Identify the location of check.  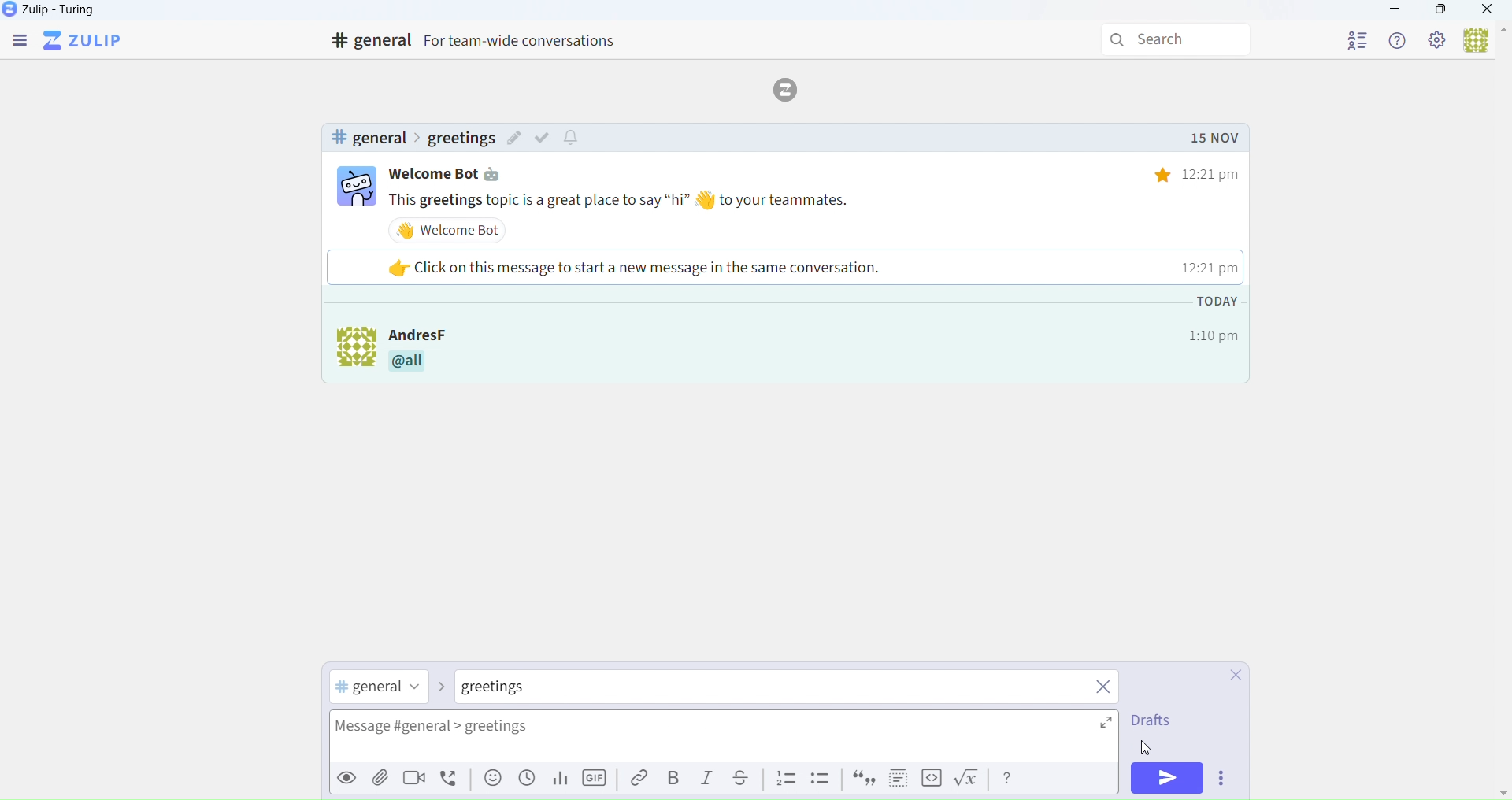
(546, 137).